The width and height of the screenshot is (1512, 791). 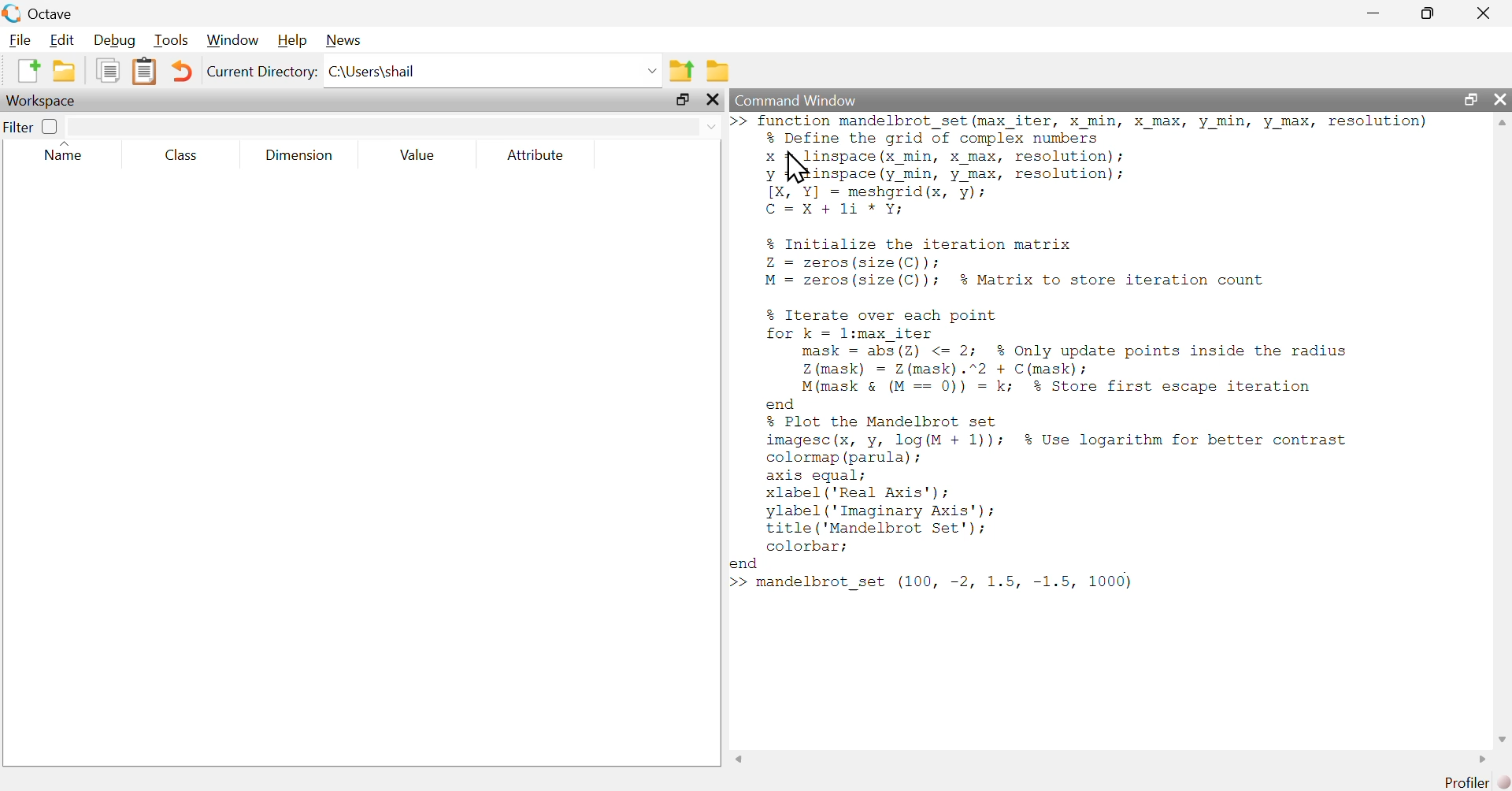 What do you see at coordinates (395, 124) in the screenshot?
I see `search here` at bounding box center [395, 124].